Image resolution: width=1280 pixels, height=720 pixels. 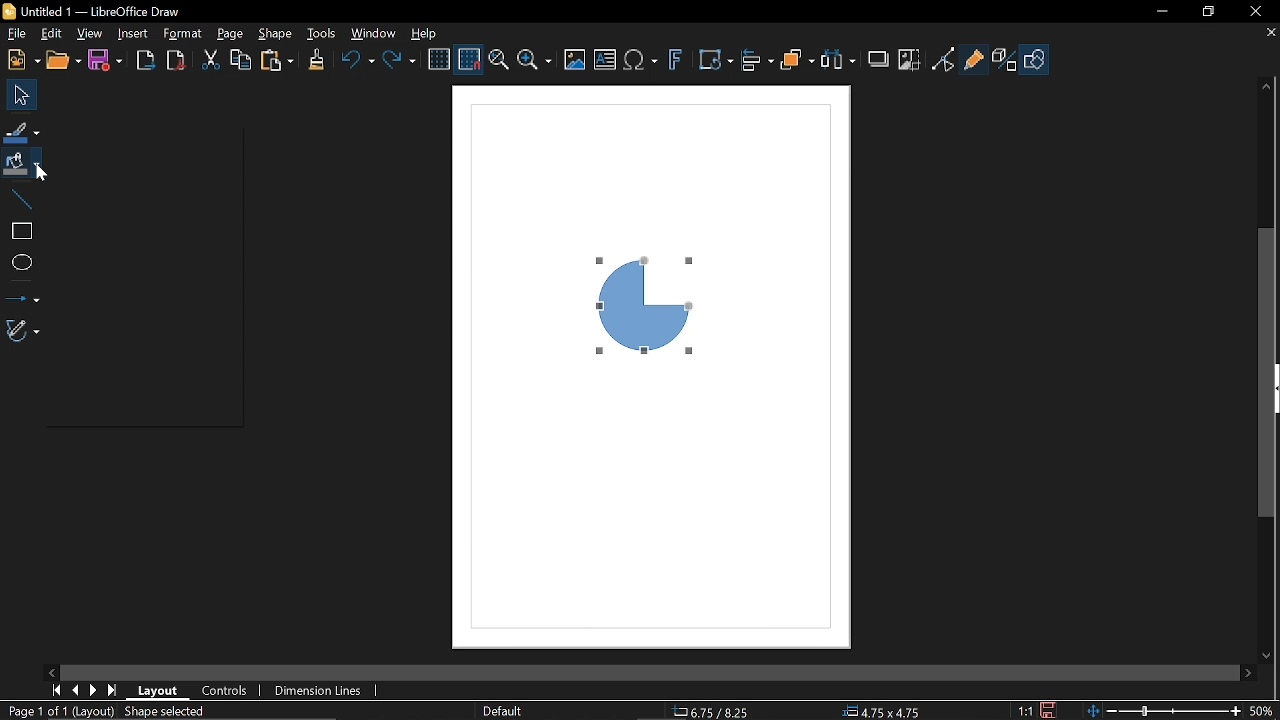 I want to click on Fill line, so click(x=22, y=130).